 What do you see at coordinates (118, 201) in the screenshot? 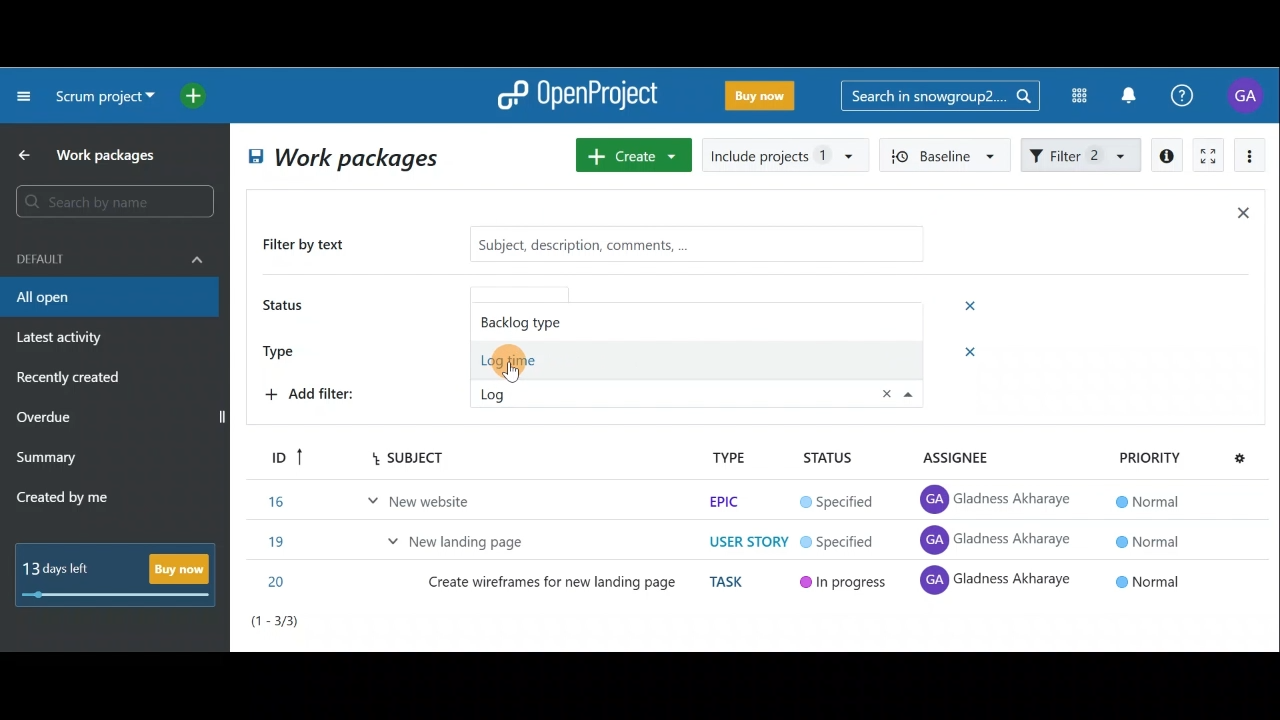
I see `Search bar` at bounding box center [118, 201].